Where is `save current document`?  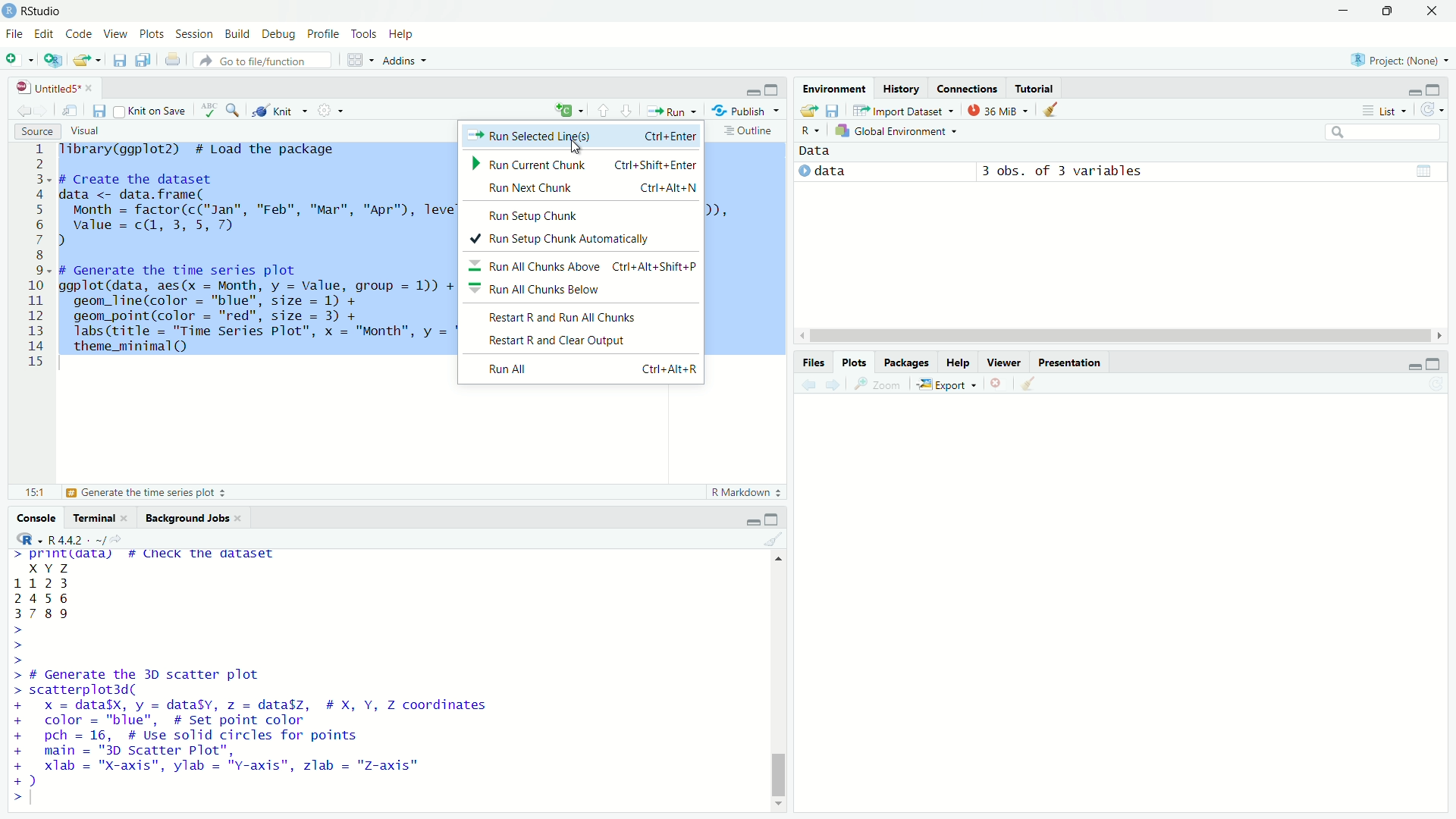 save current document is located at coordinates (120, 60).